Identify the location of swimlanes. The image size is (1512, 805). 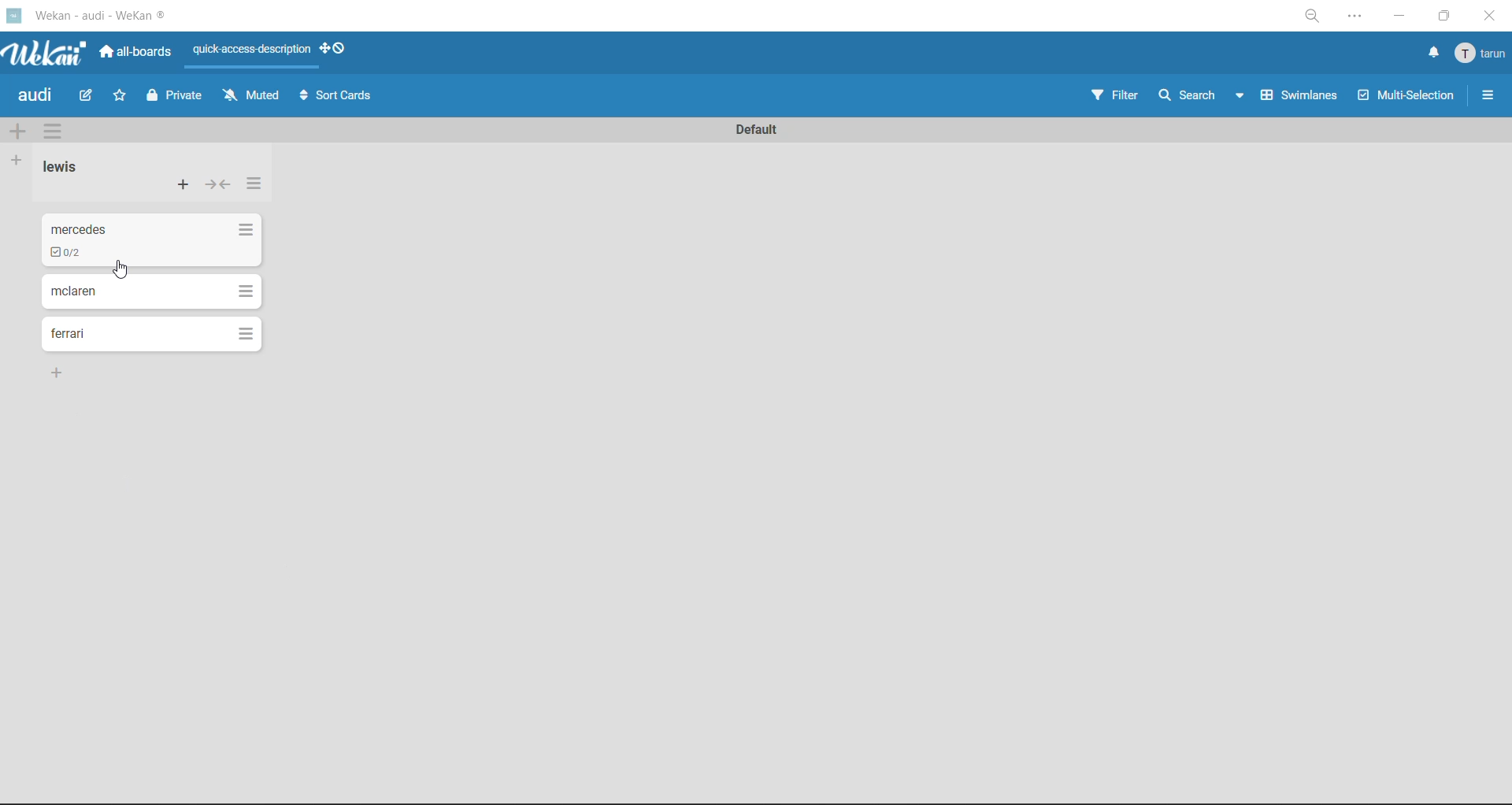
(1302, 98).